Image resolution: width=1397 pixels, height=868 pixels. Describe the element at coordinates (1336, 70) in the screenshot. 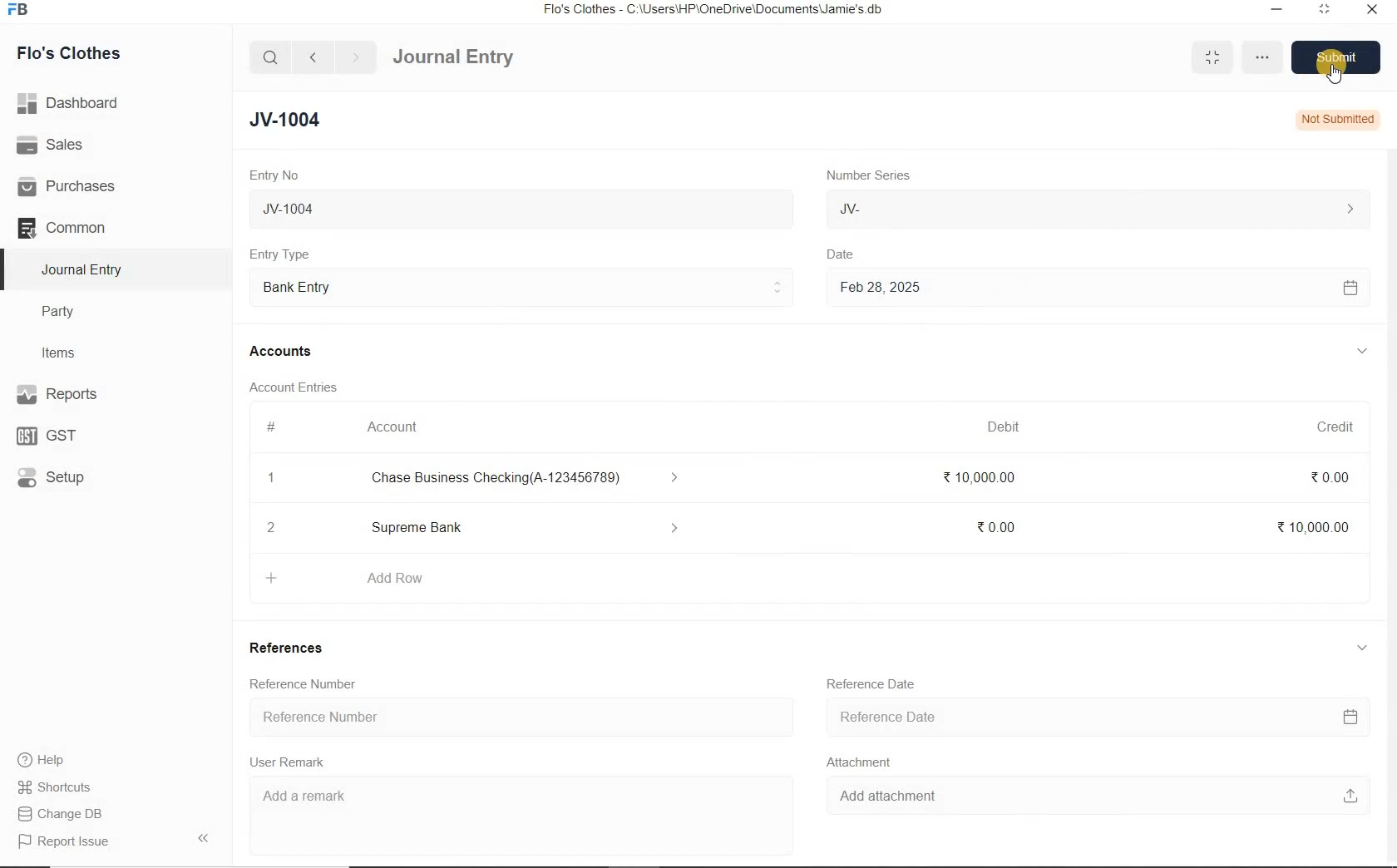

I see `Cursor` at that location.